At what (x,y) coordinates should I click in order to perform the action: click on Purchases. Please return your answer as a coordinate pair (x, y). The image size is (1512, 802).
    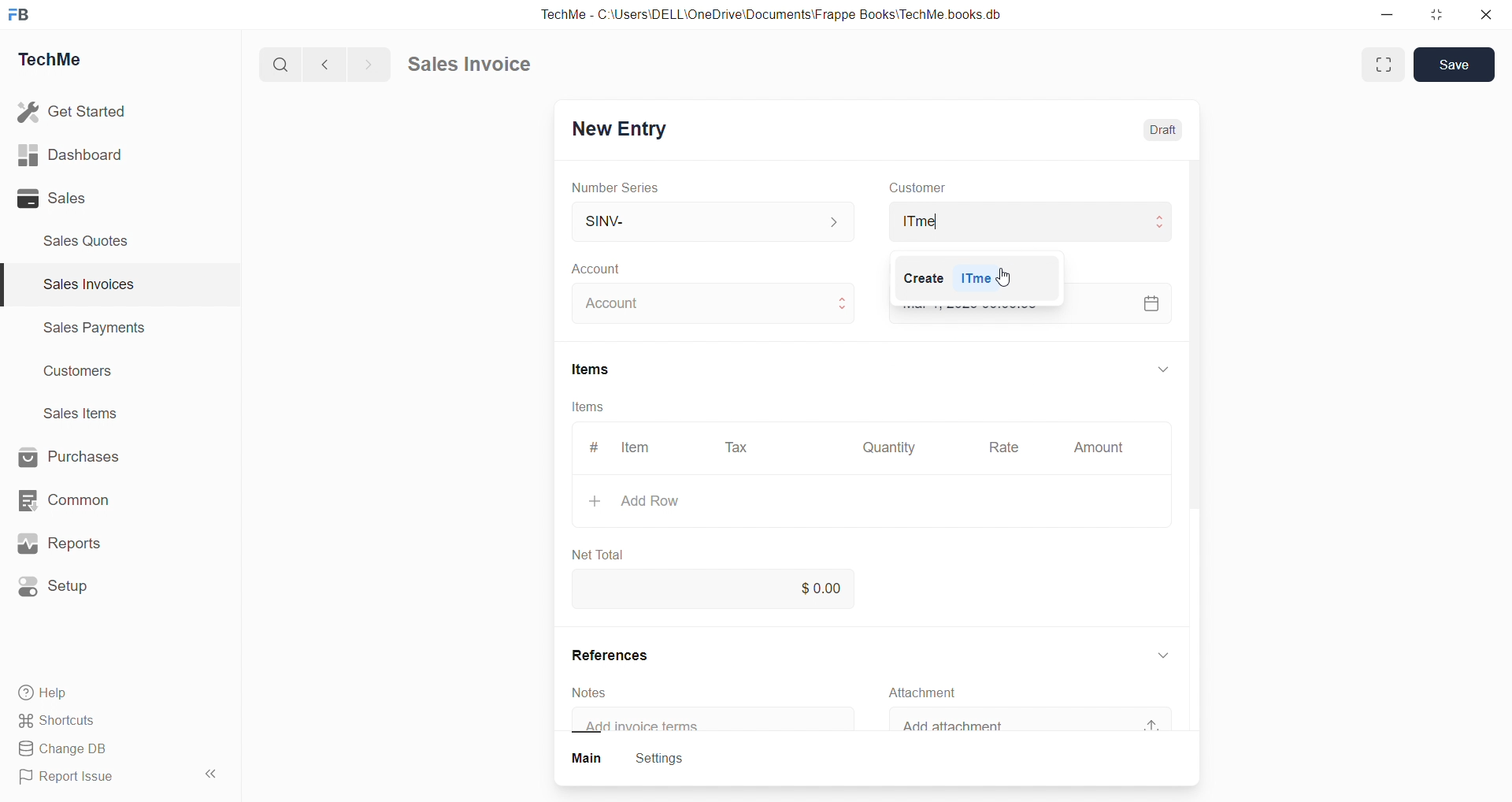
    Looking at the image, I should click on (83, 455).